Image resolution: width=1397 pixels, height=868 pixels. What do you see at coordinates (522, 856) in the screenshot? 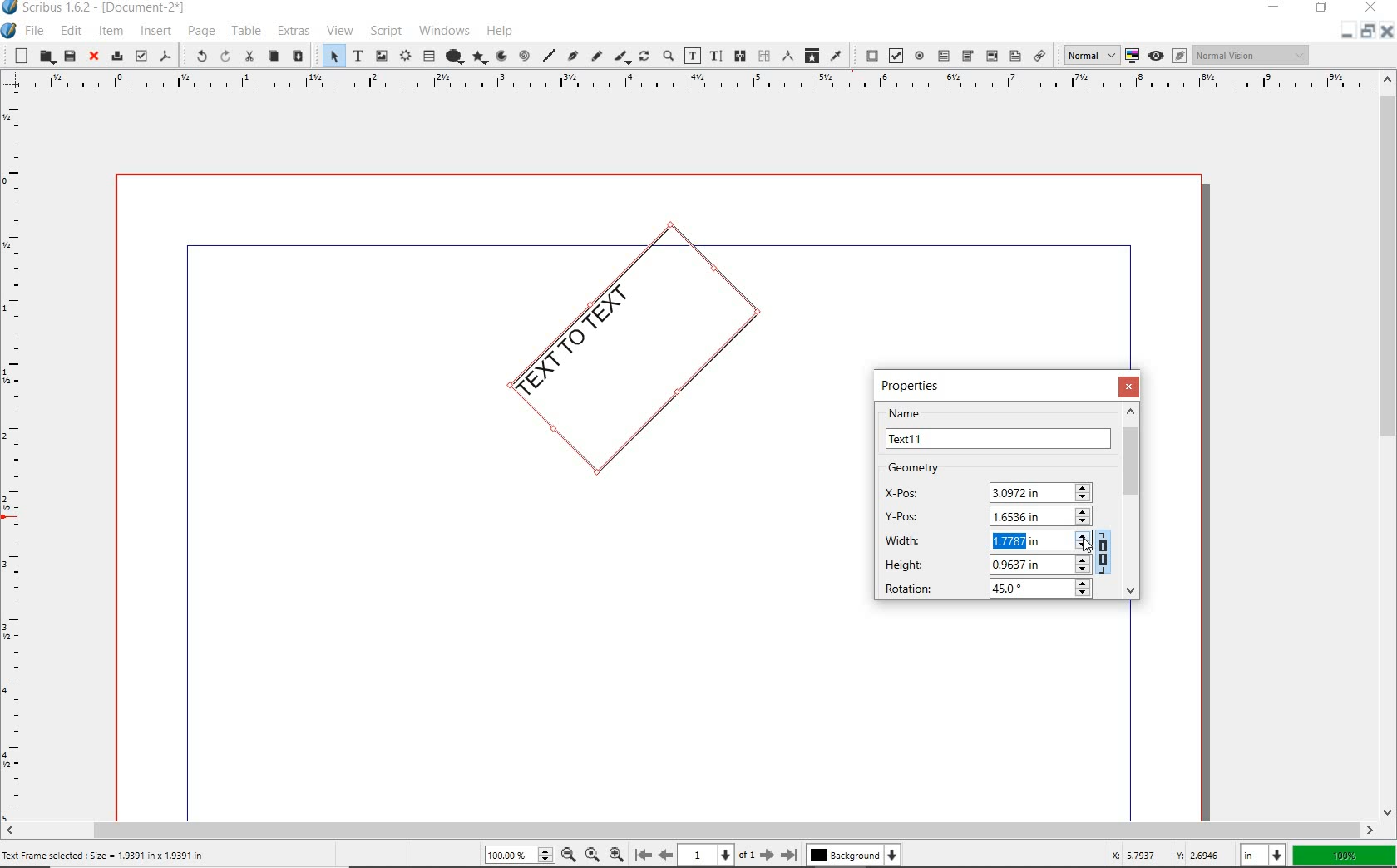
I see `zoom level` at bounding box center [522, 856].